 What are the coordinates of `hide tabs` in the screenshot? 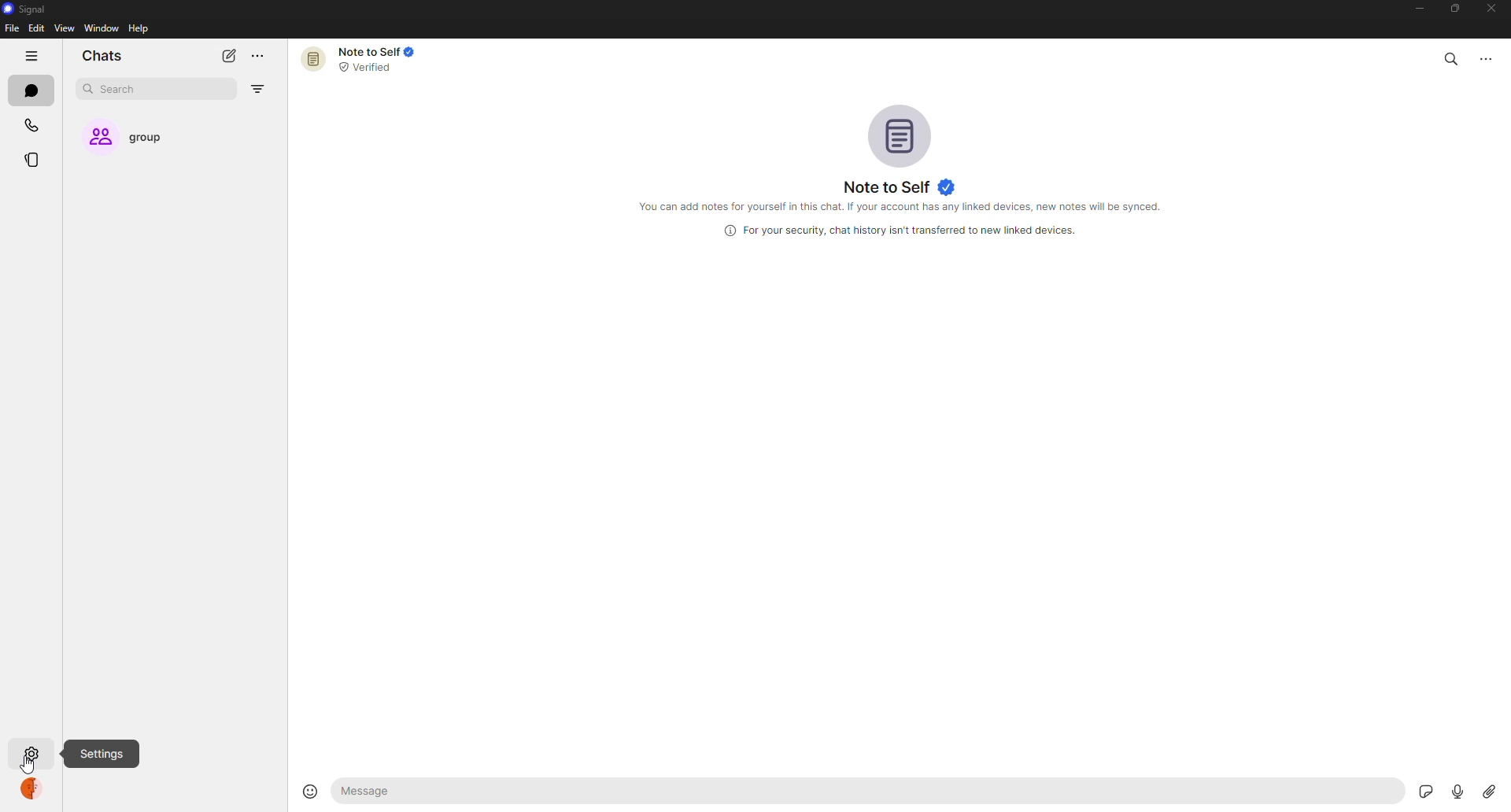 It's located at (33, 57).